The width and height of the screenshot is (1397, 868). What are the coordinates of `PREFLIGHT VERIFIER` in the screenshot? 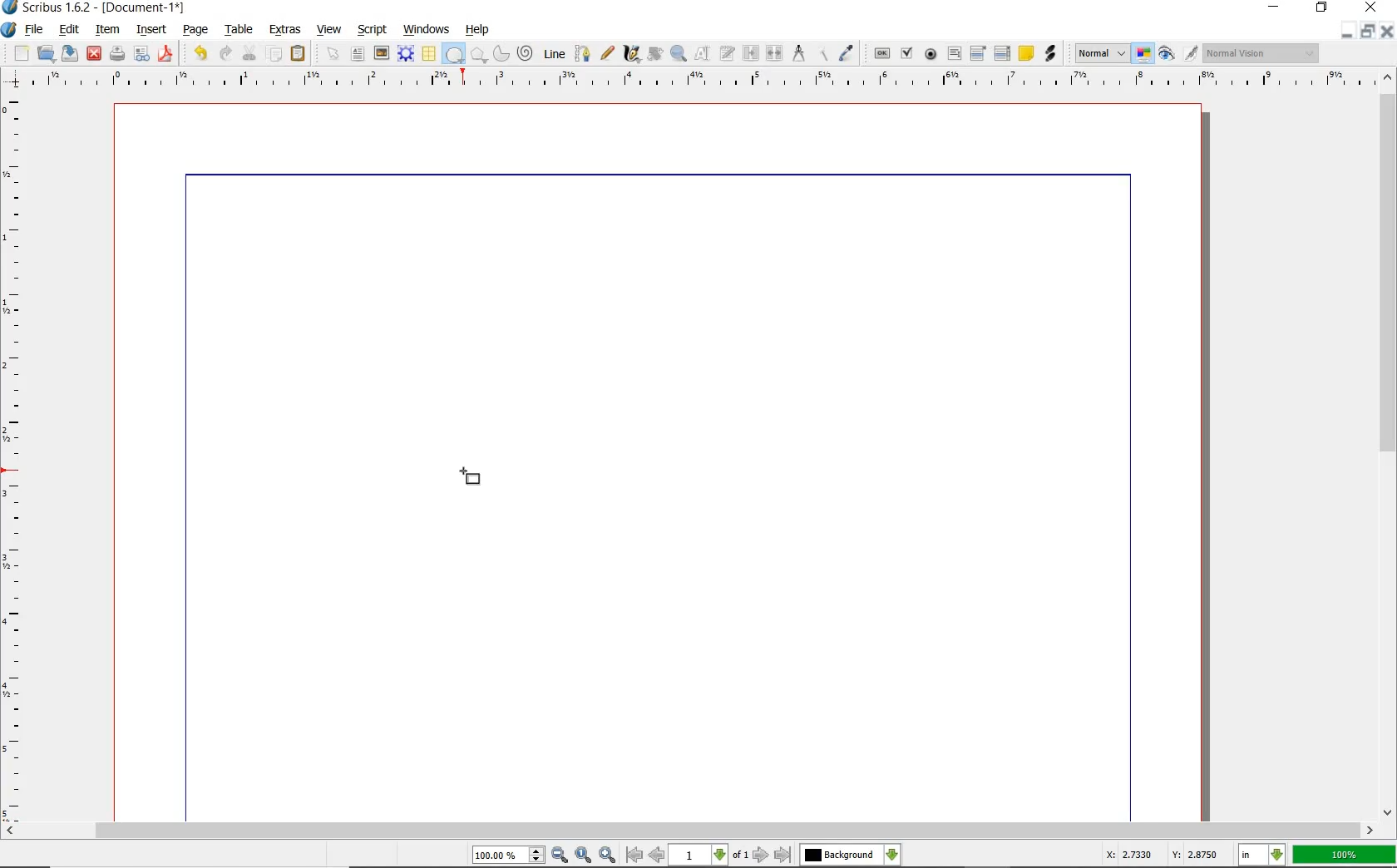 It's located at (141, 52).